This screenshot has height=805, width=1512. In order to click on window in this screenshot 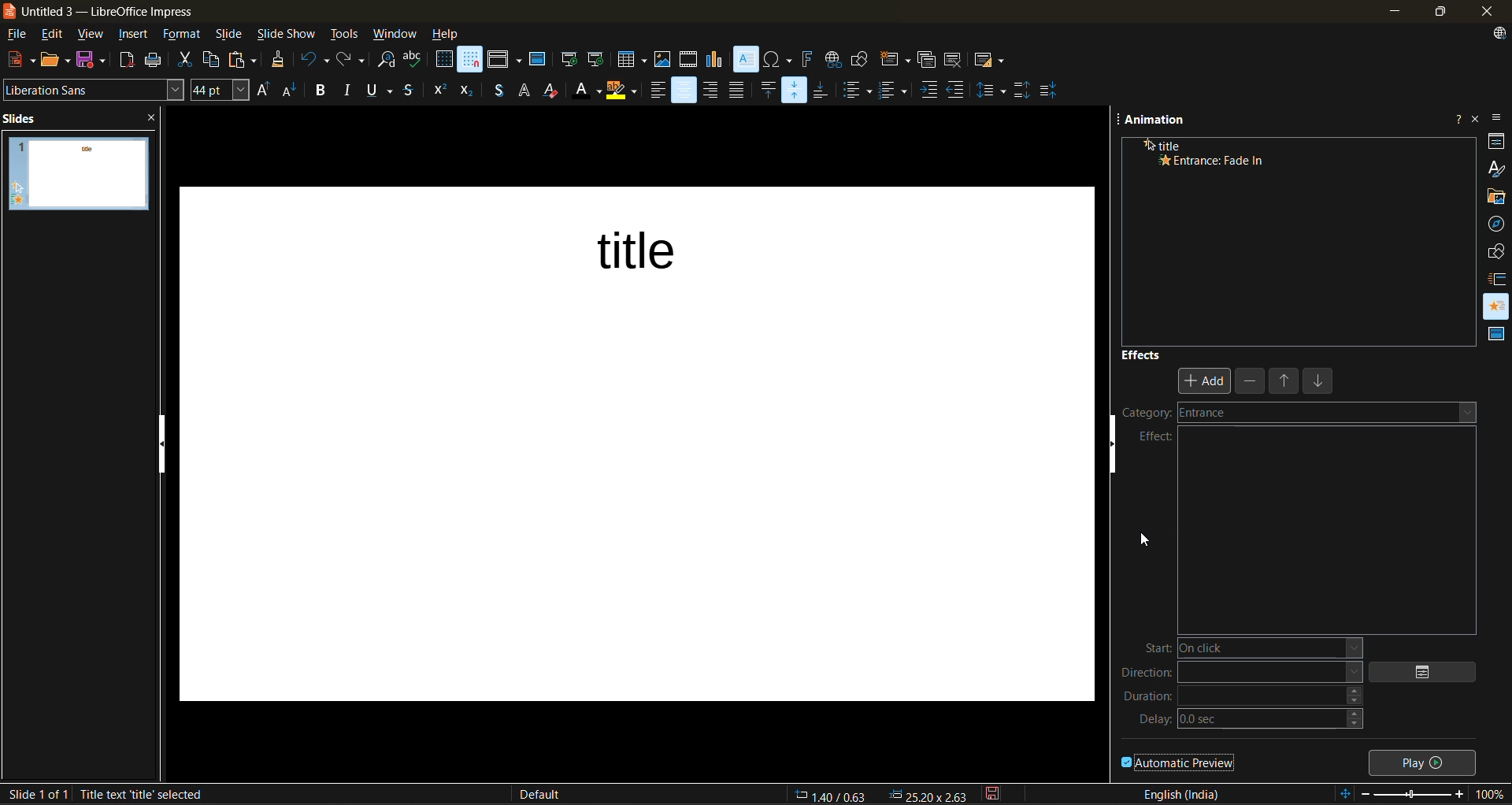, I will do `click(396, 35)`.